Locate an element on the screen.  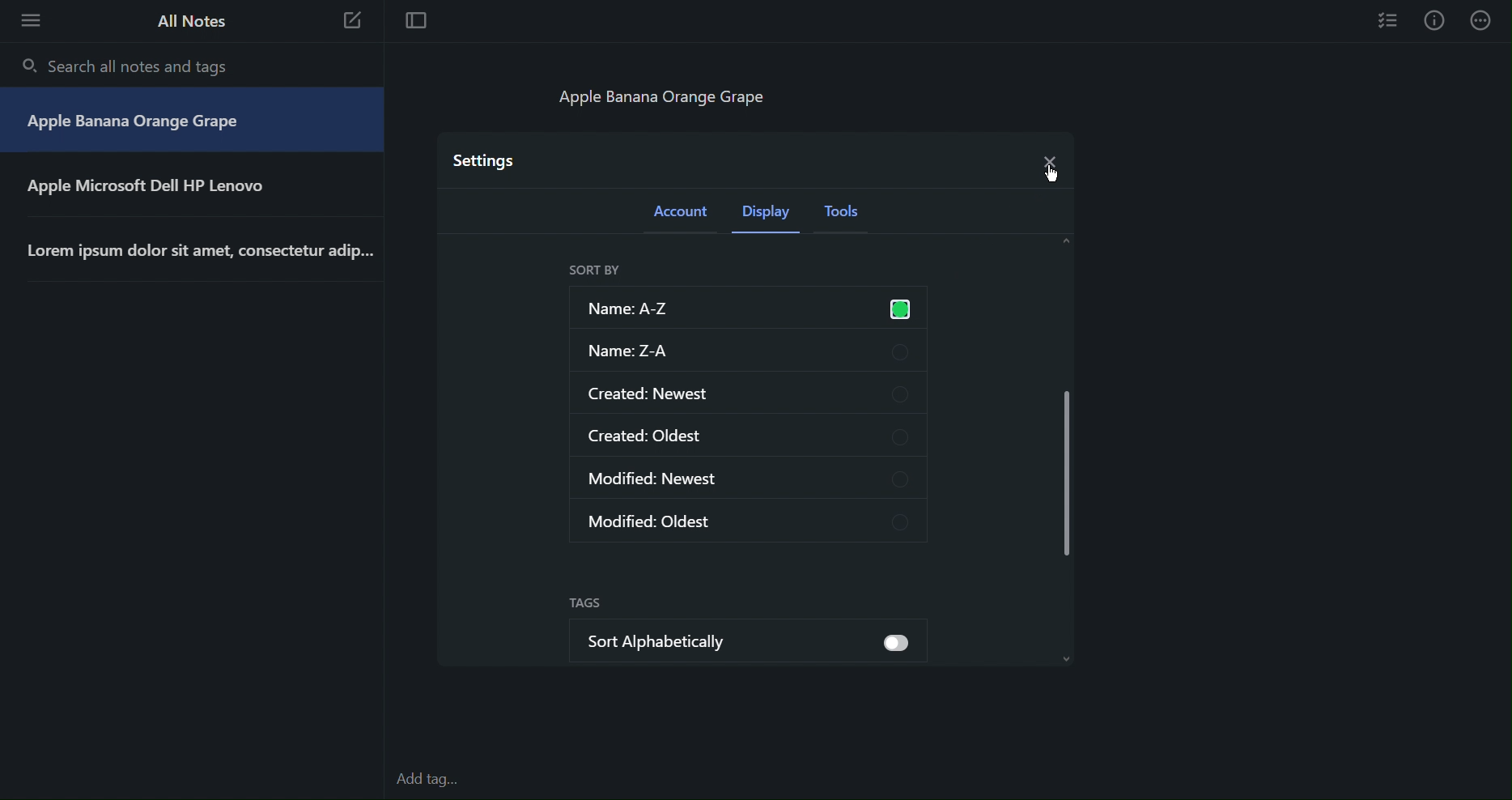
button is located at coordinates (895, 644).